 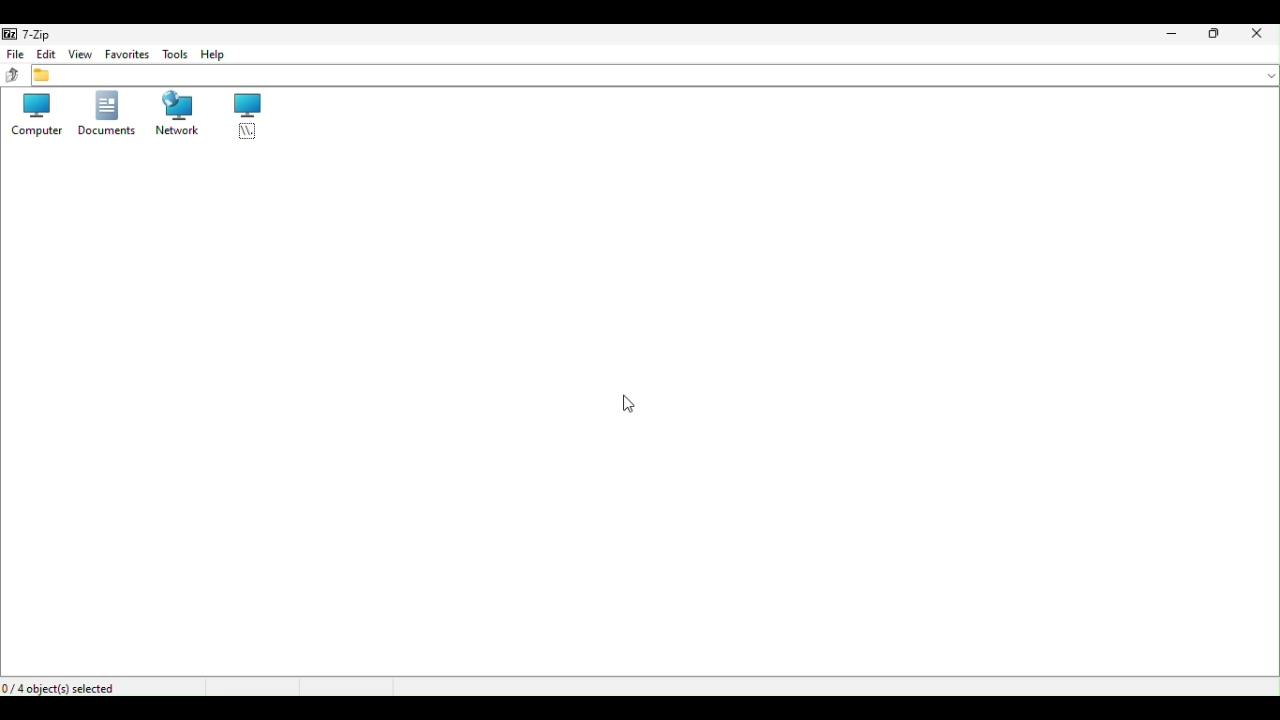 What do you see at coordinates (128, 52) in the screenshot?
I see `Favourite` at bounding box center [128, 52].